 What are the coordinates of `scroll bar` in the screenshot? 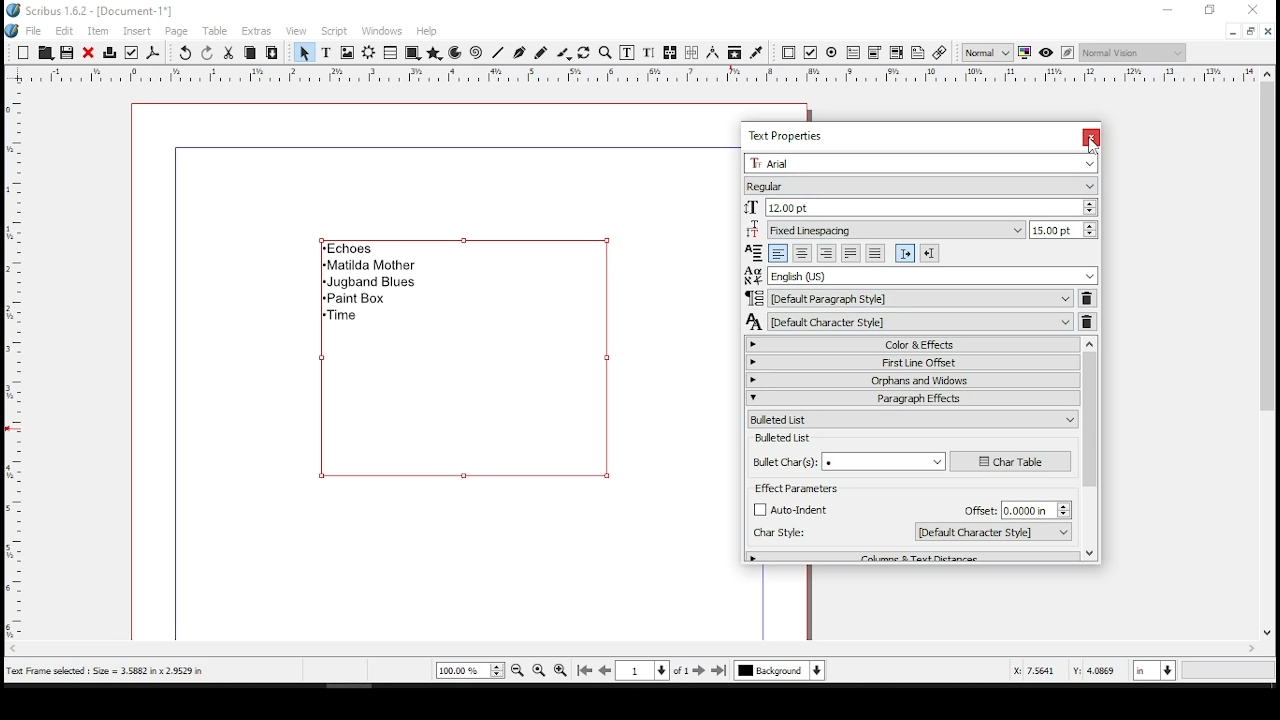 It's located at (1093, 449).